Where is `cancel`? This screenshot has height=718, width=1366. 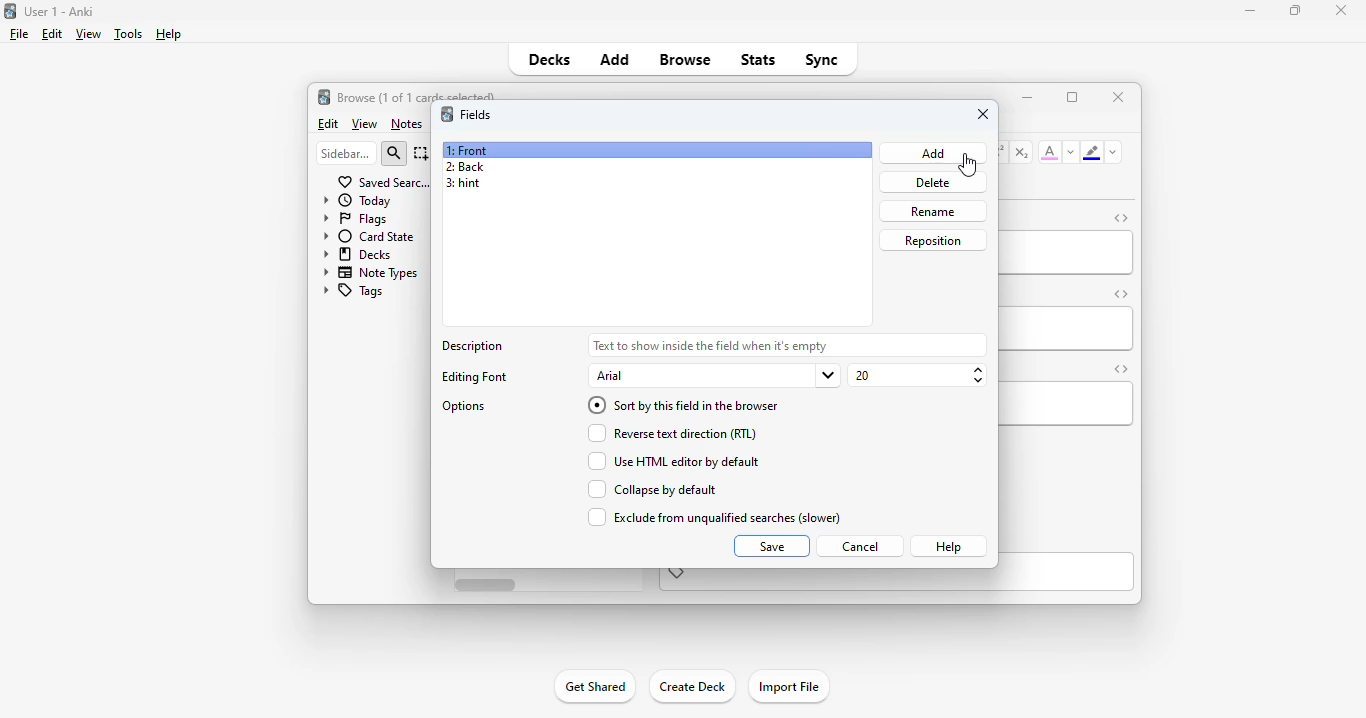
cancel is located at coordinates (859, 547).